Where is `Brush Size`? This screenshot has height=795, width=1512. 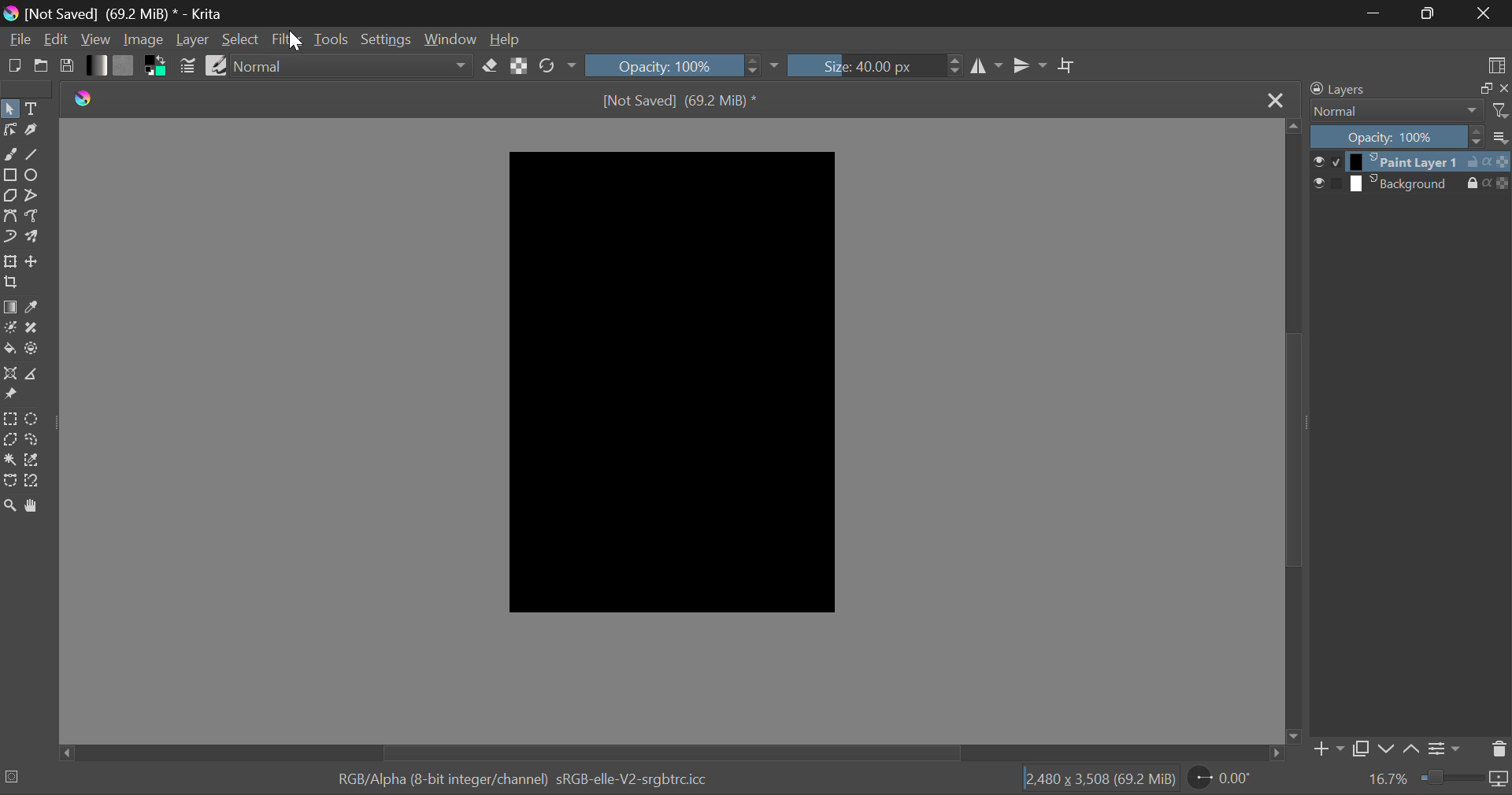 Brush Size is located at coordinates (875, 65).